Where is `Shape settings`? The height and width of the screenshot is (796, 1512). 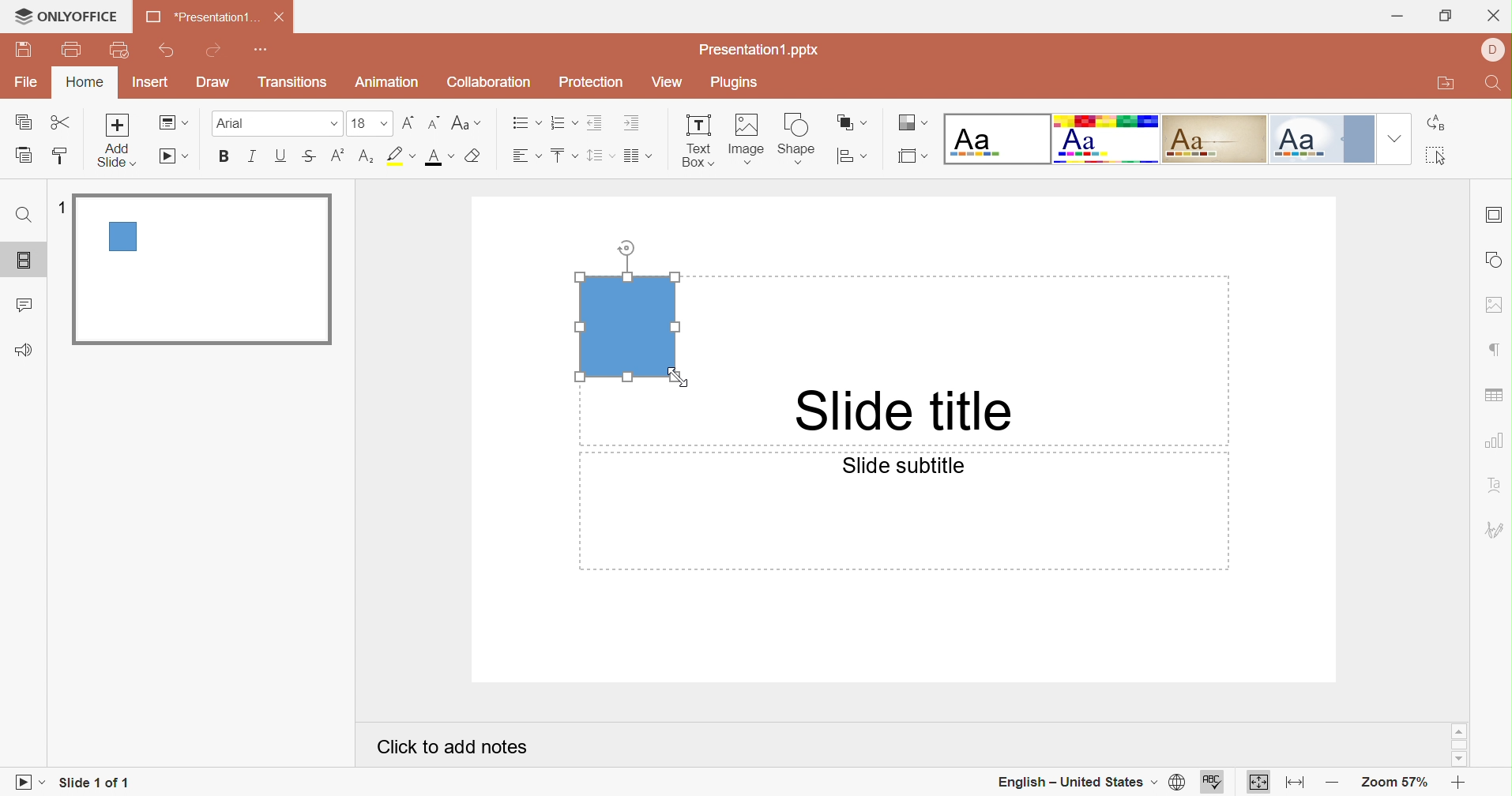
Shape settings is located at coordinates (1495, 260).